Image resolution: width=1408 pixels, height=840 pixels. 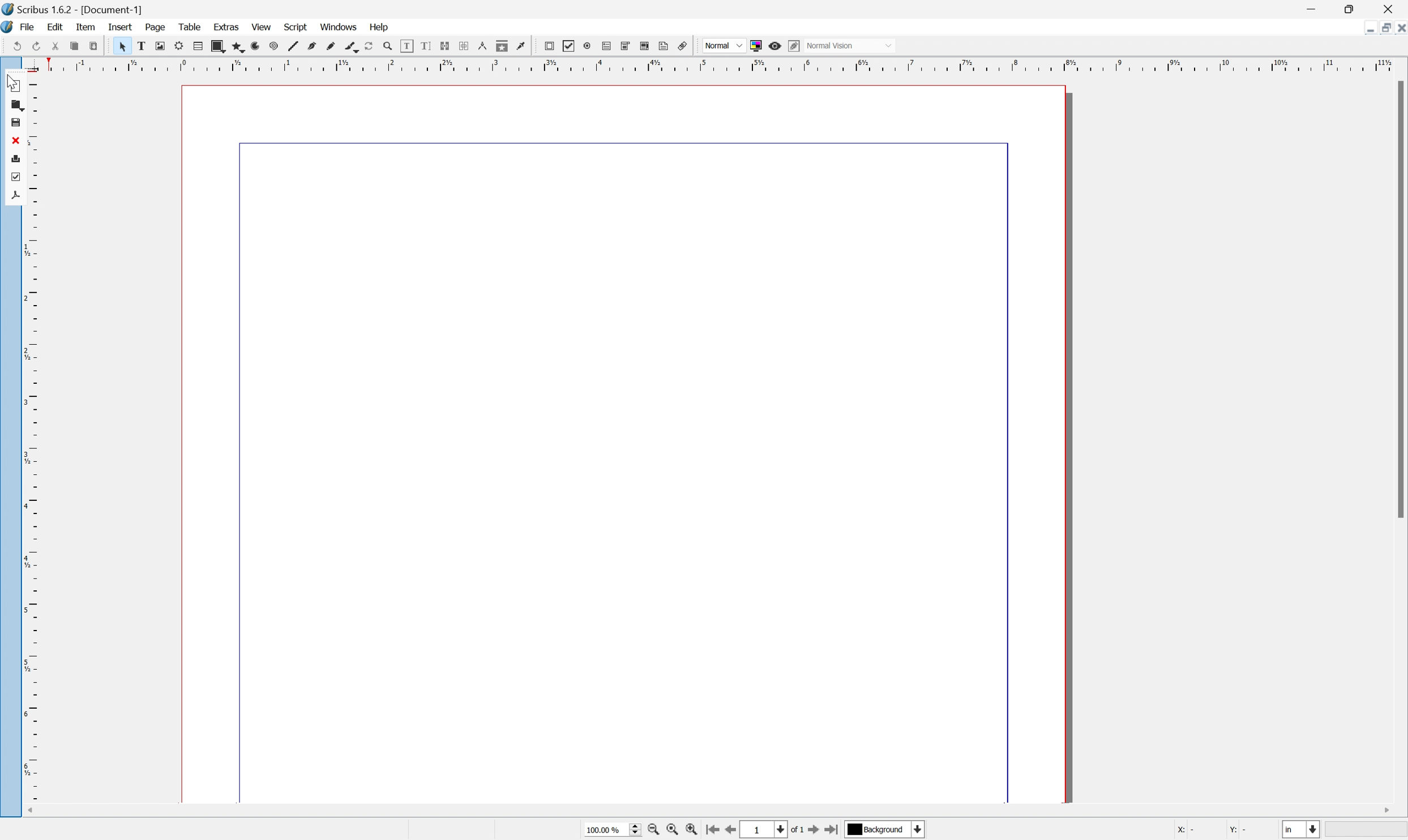 What do you see at coordinates (645, 46) in the screenshot?
I see `copy item properties` at bounding box center [645, 46].